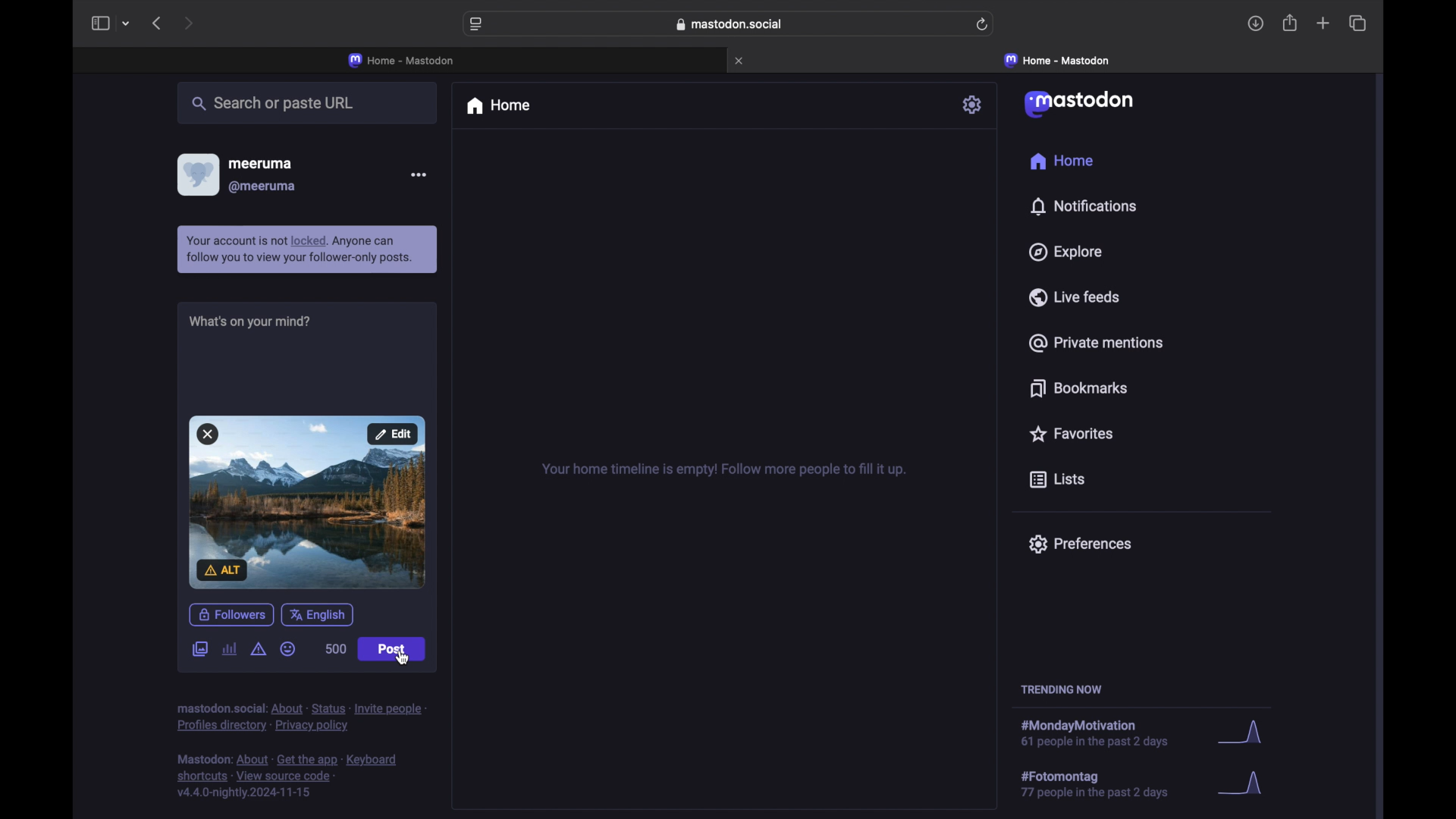 The height and width of the screenshot is (819, 1456). Describe the element at coordinates (258, 652) in the screenshot. I see `add content  warning` at that location.